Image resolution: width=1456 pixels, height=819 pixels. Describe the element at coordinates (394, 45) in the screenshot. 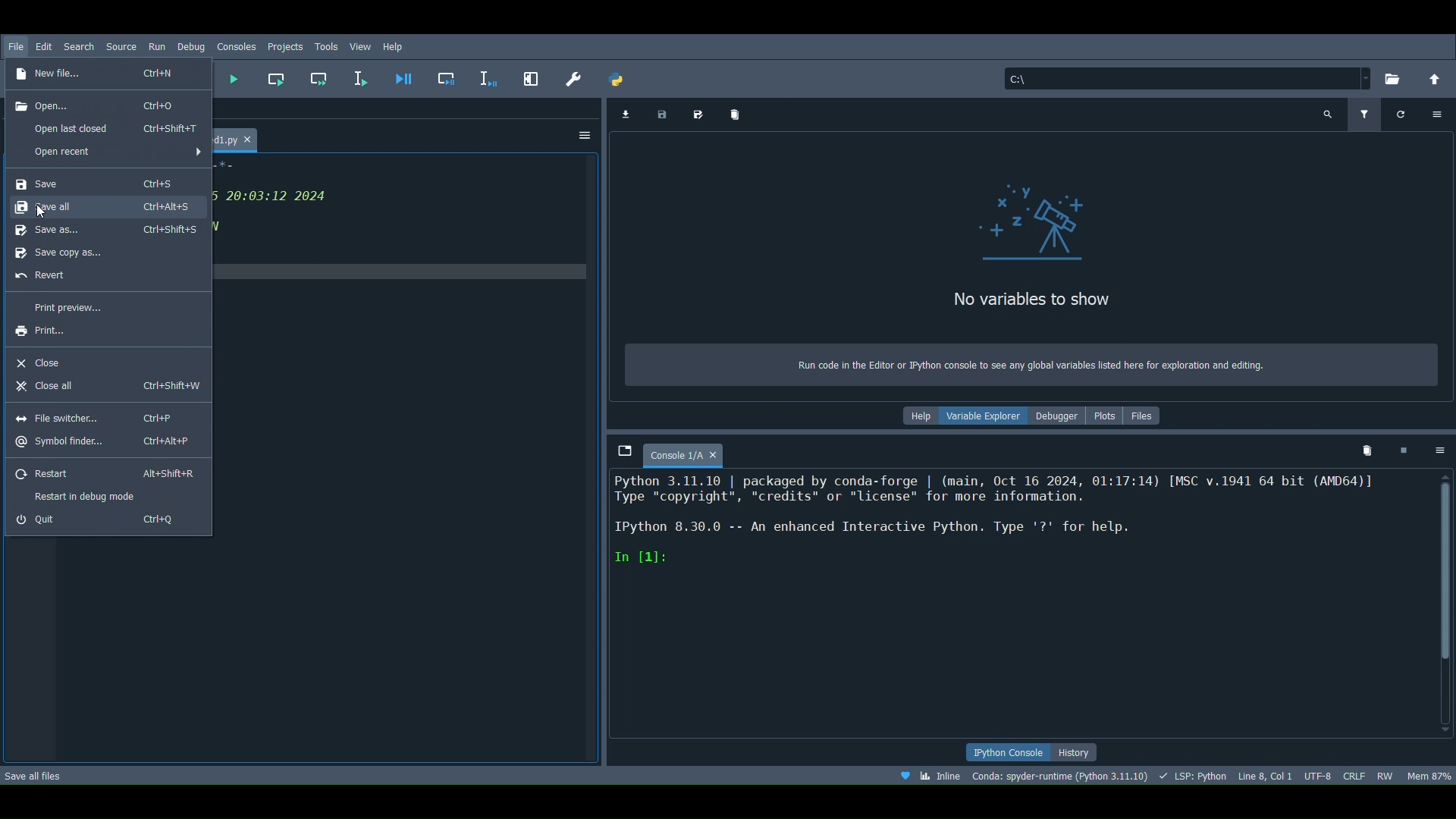

I see `Help` at that location.